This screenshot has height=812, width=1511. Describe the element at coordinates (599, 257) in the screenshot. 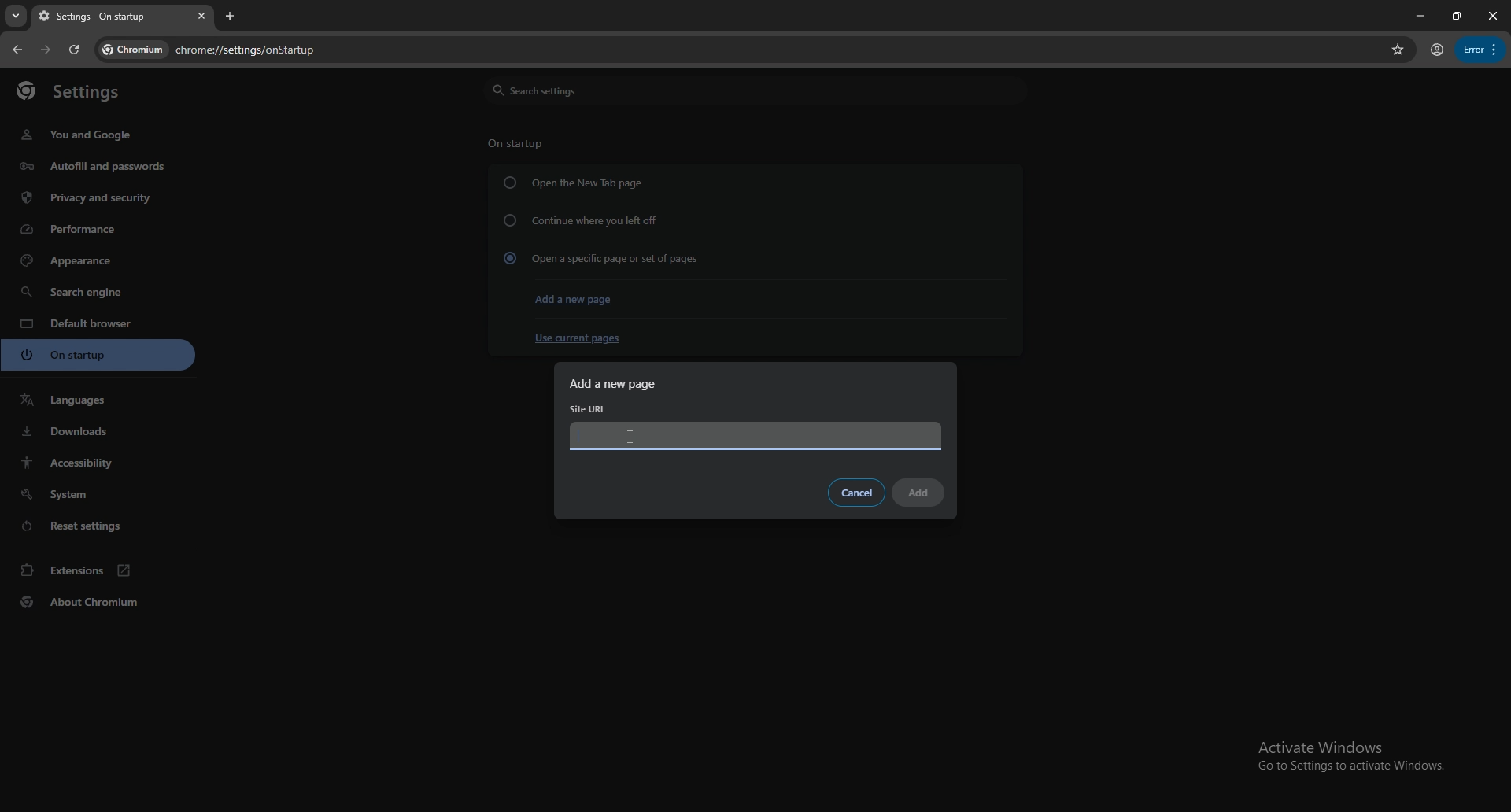

I see `open a specific page or set of pages` at that location.